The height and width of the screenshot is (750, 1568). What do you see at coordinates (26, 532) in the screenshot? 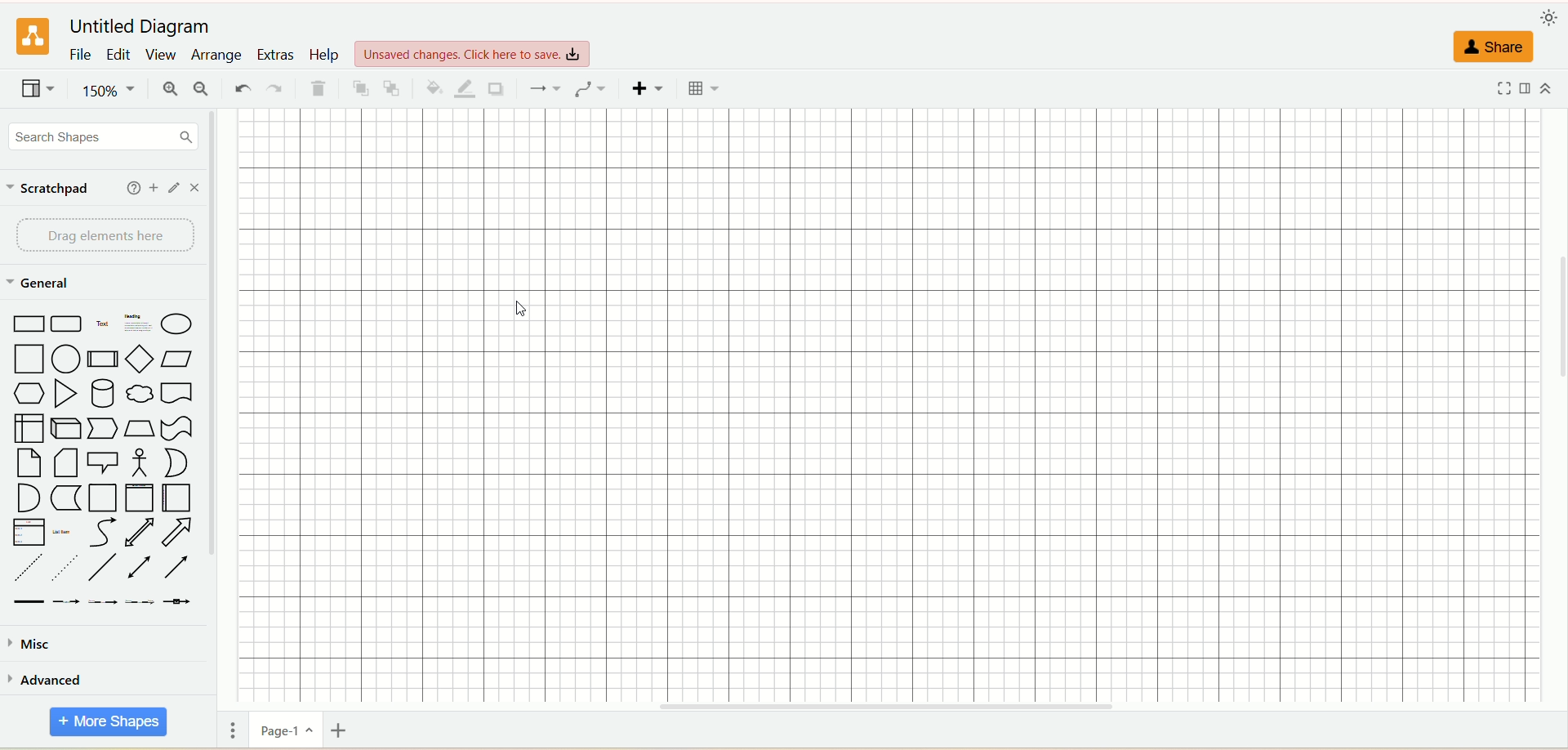
I see `list` at bounding box center [26, 532].